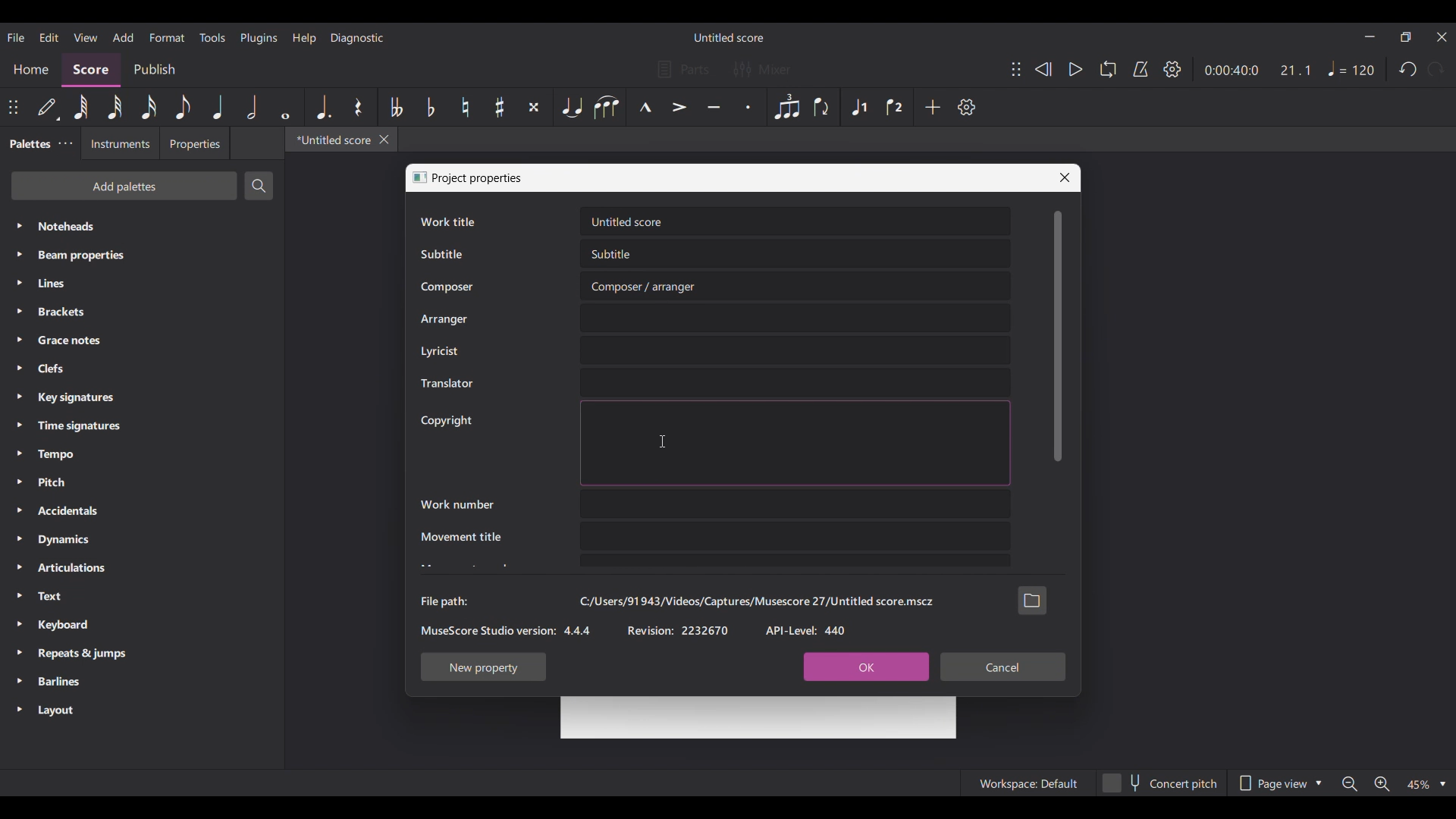 This screenshot has height=819, width=1456. Describe the element at coordinates (444, 601) in the screenshot. I see `File path:` at that location.